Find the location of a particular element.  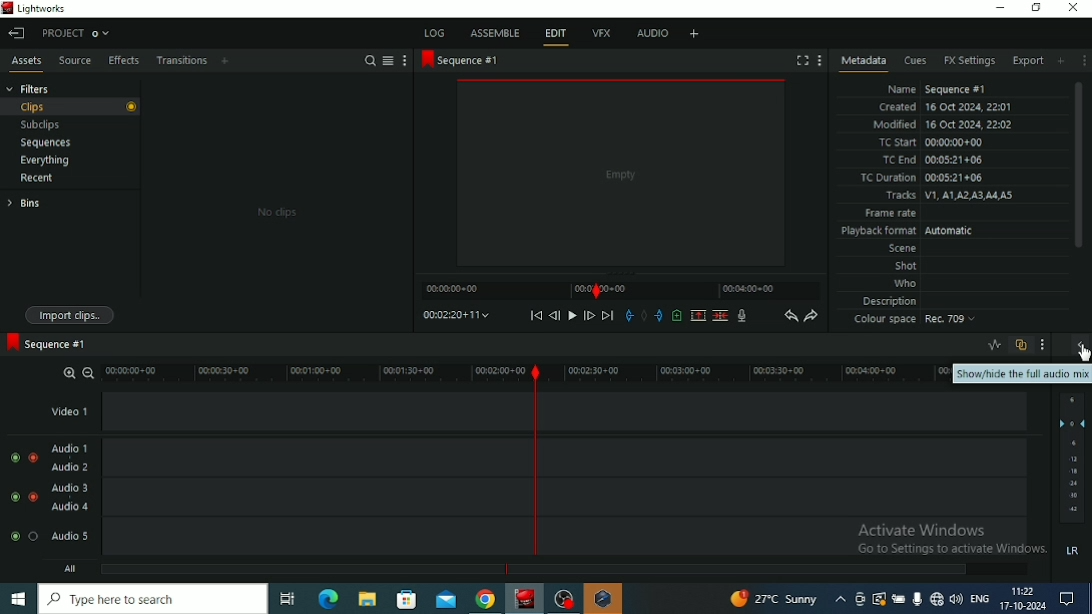

Lightworks is located at coordinates (38, 9).